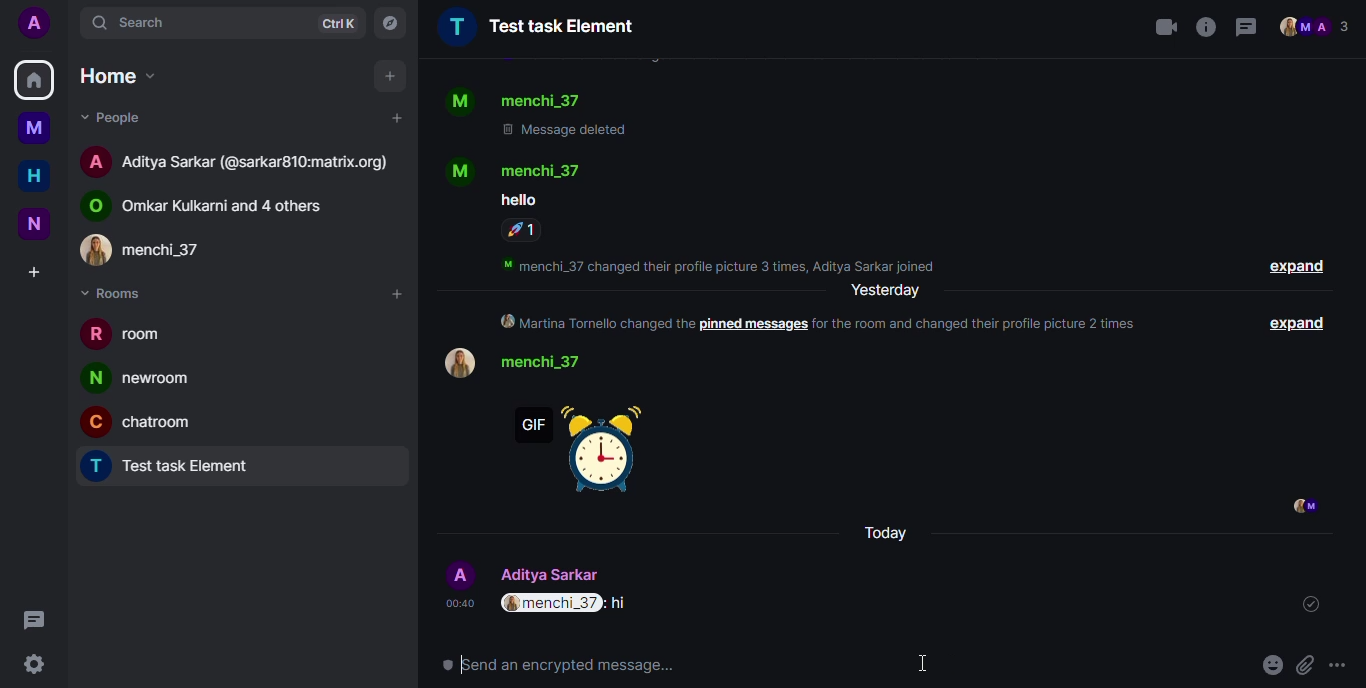 The height and width of the screenshot is (688, 1366). Describe the element at coordinates (541, 27) in the screenshot. I see `Test task element` at that location.